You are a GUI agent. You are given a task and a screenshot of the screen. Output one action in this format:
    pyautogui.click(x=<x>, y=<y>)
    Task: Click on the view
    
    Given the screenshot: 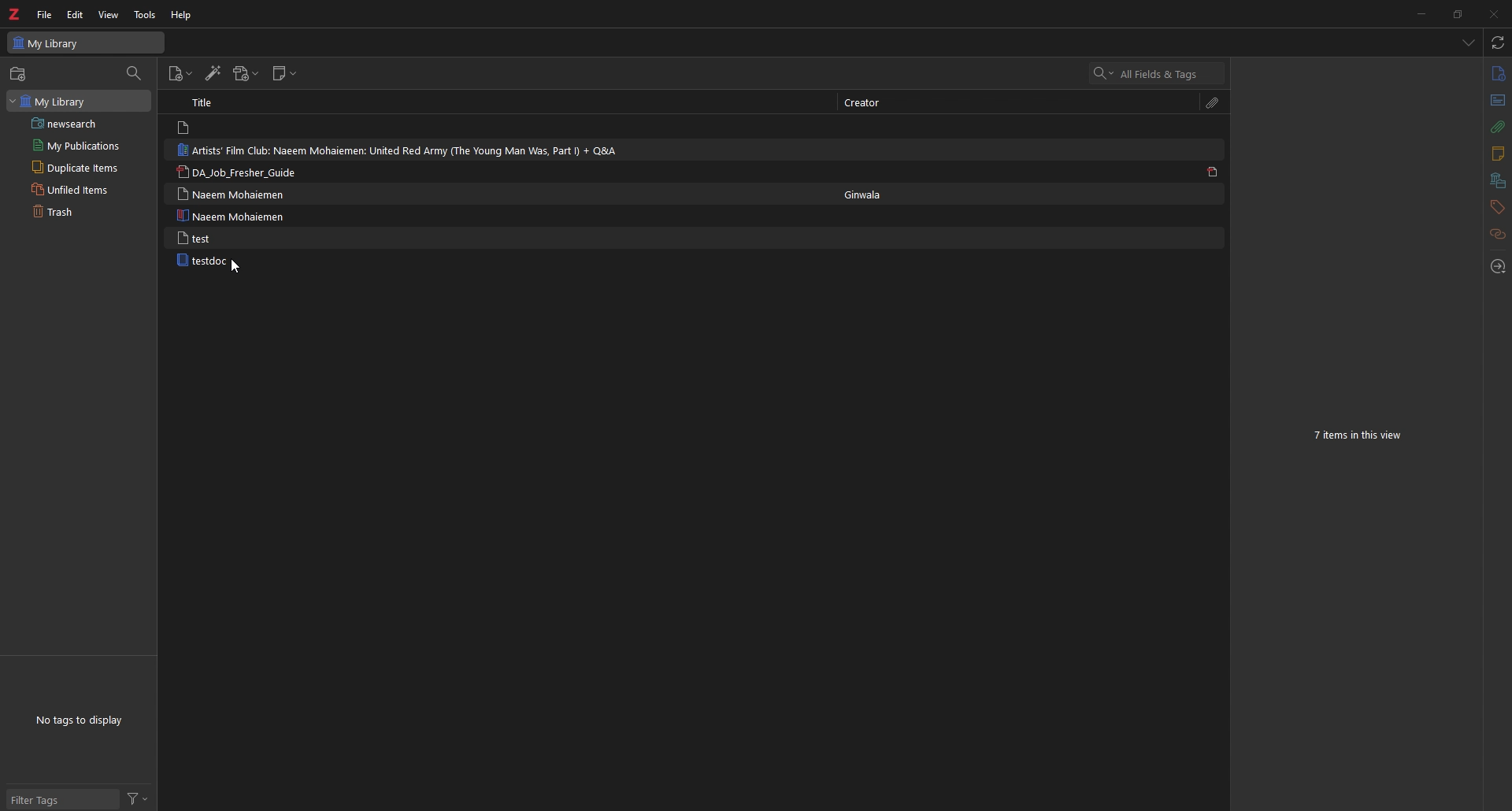 What is the action you would take?
    pyautogui.click(x=109, y=15)
    